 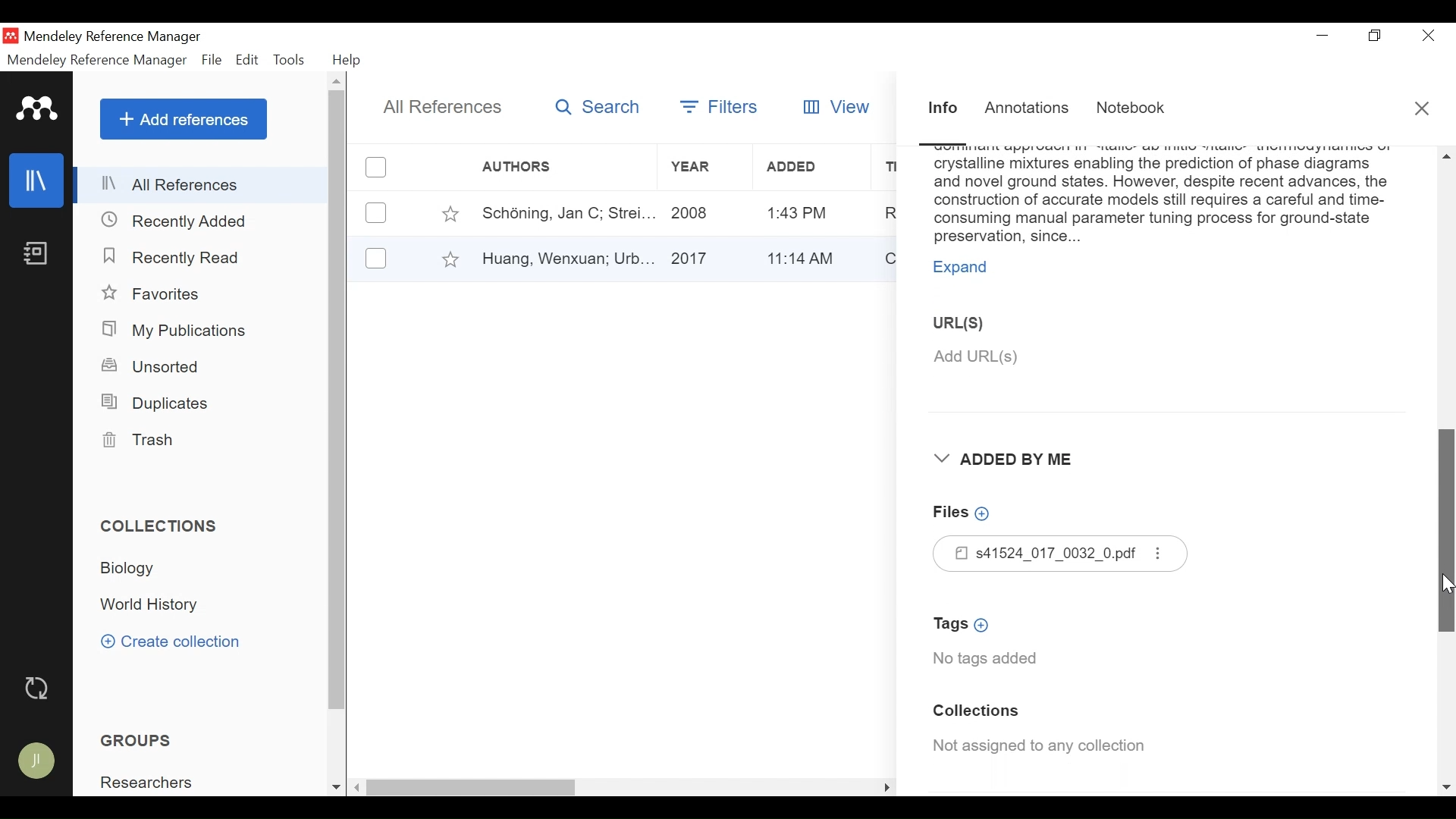 What do you see at coordinates (336, 789) in the screenshot?
I see `Scroll down` at bounding box center [336, 789].